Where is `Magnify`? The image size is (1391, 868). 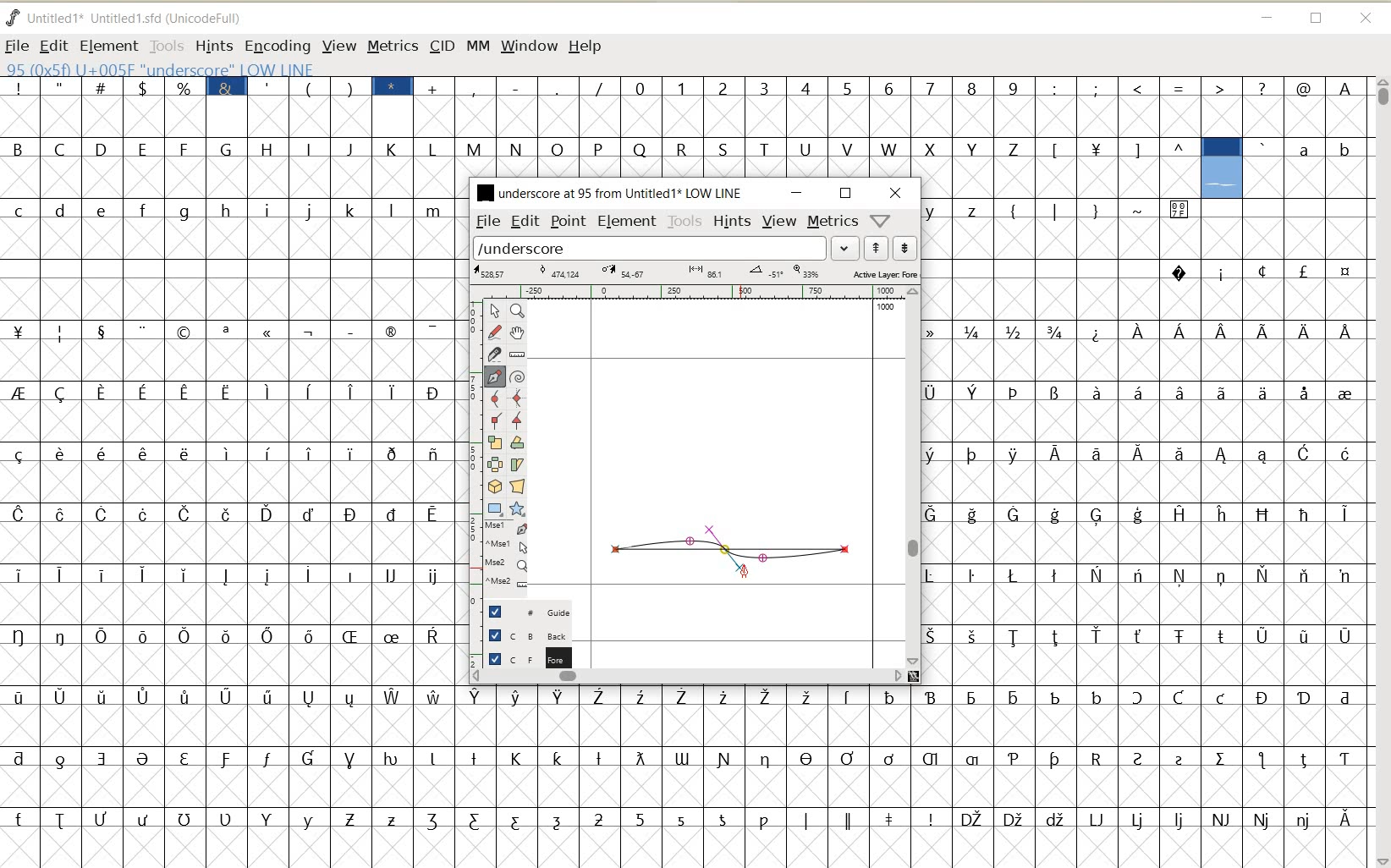 Magnify is located at coordinates (516, 310).